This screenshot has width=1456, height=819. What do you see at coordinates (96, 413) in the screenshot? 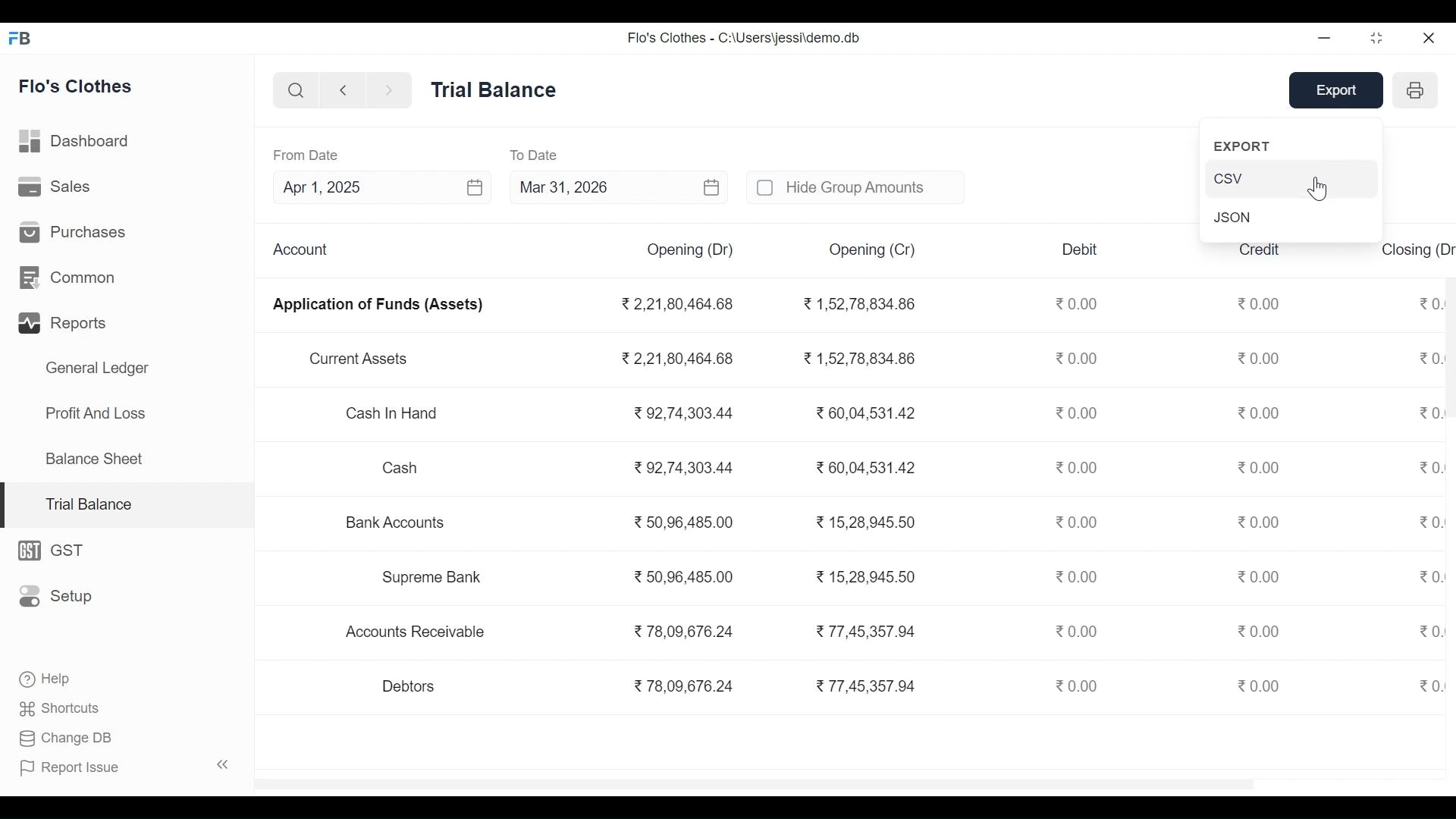
I see `Profit And Loss` at bounding box center [96, 413].